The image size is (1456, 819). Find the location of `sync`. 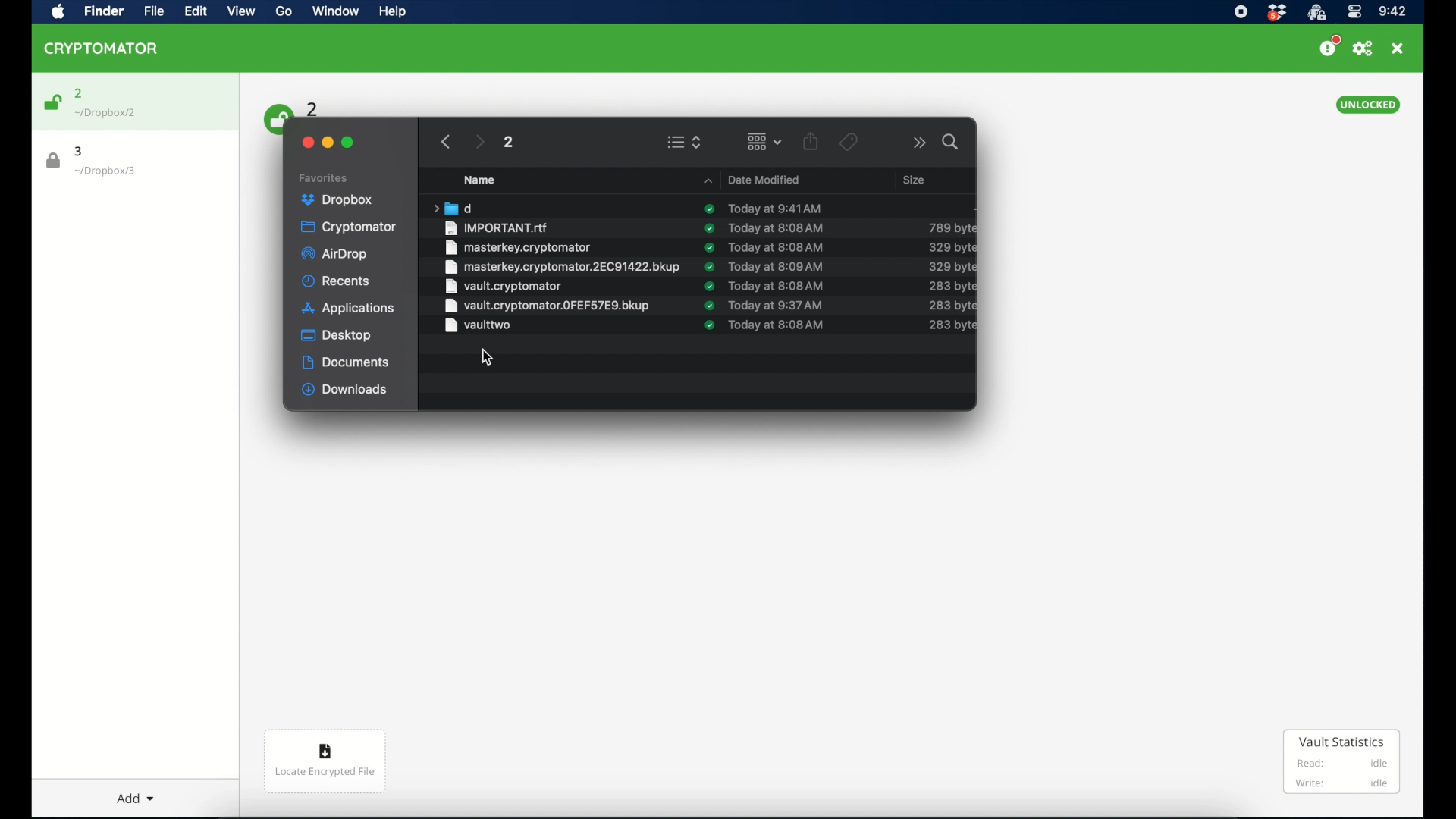

sync is located at coordinates (709, 247).